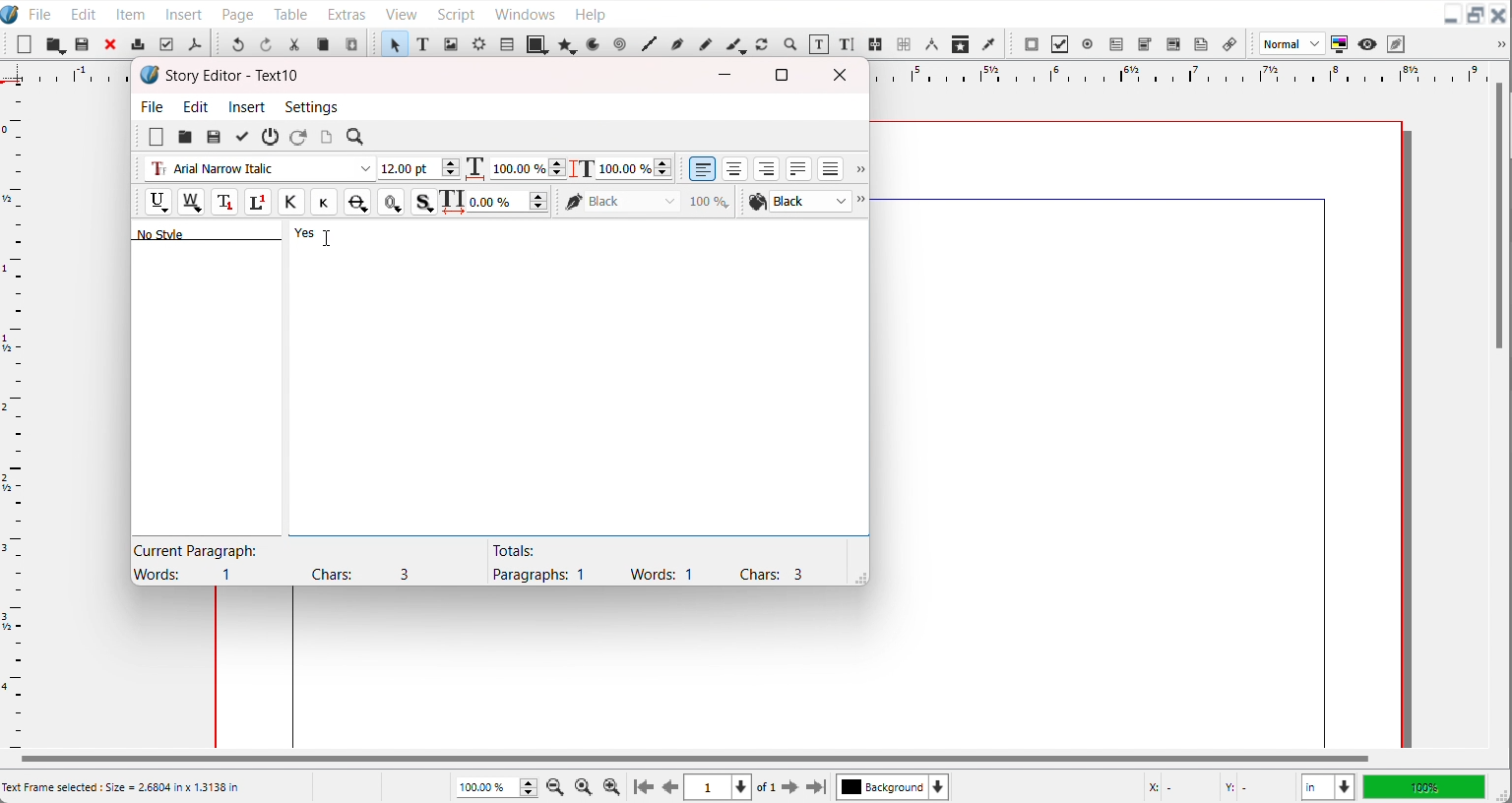  I want to click on Arc, so click(595, 43).